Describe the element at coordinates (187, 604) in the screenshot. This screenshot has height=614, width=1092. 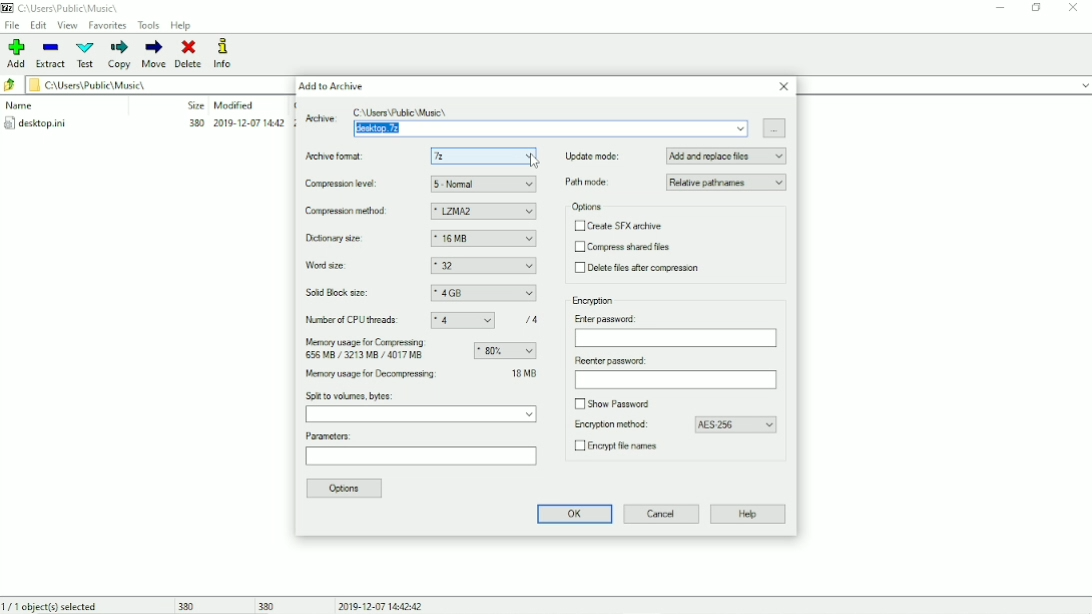
I see `380` at that location.